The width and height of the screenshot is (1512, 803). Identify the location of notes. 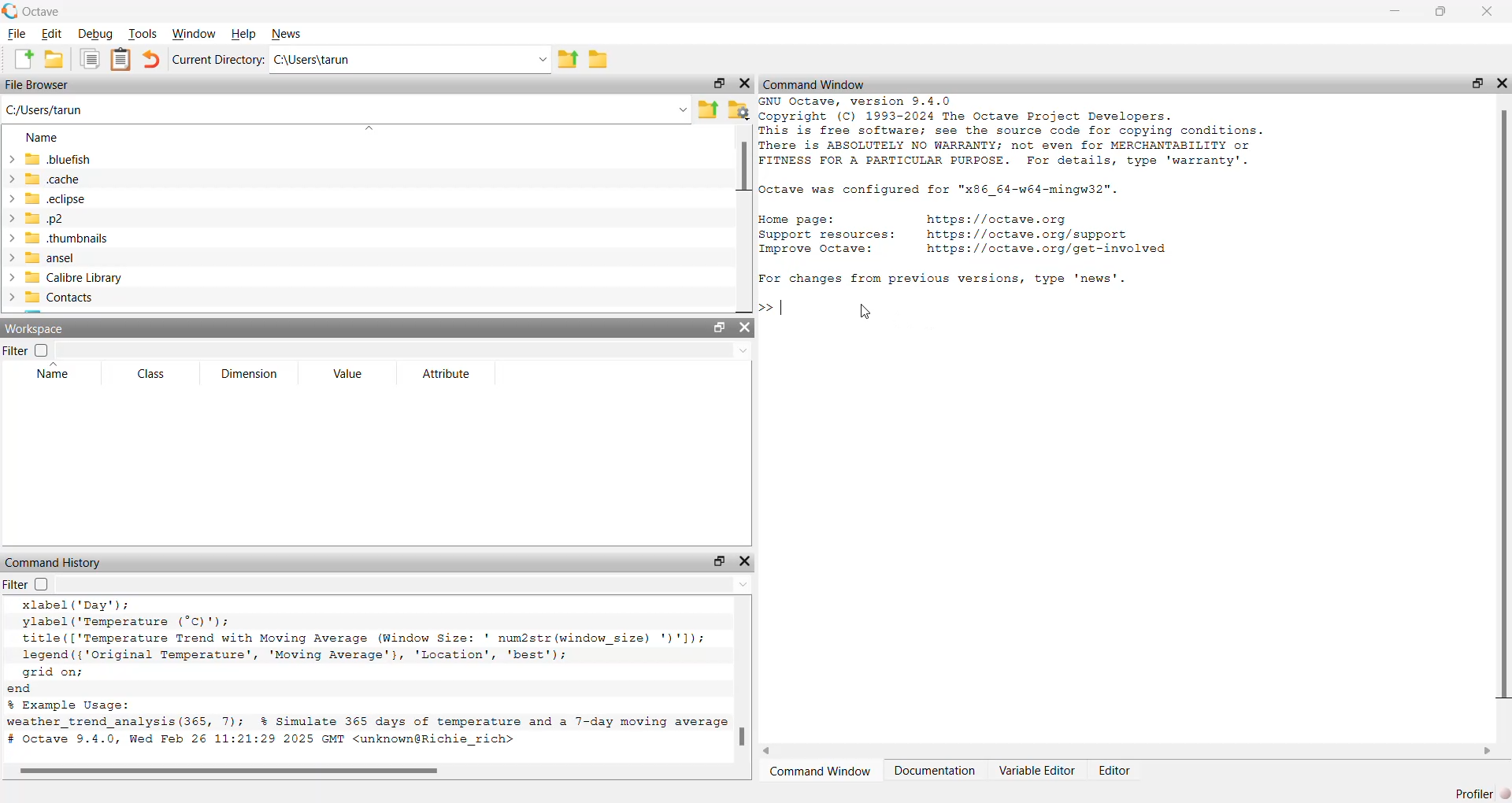
(122, 60).